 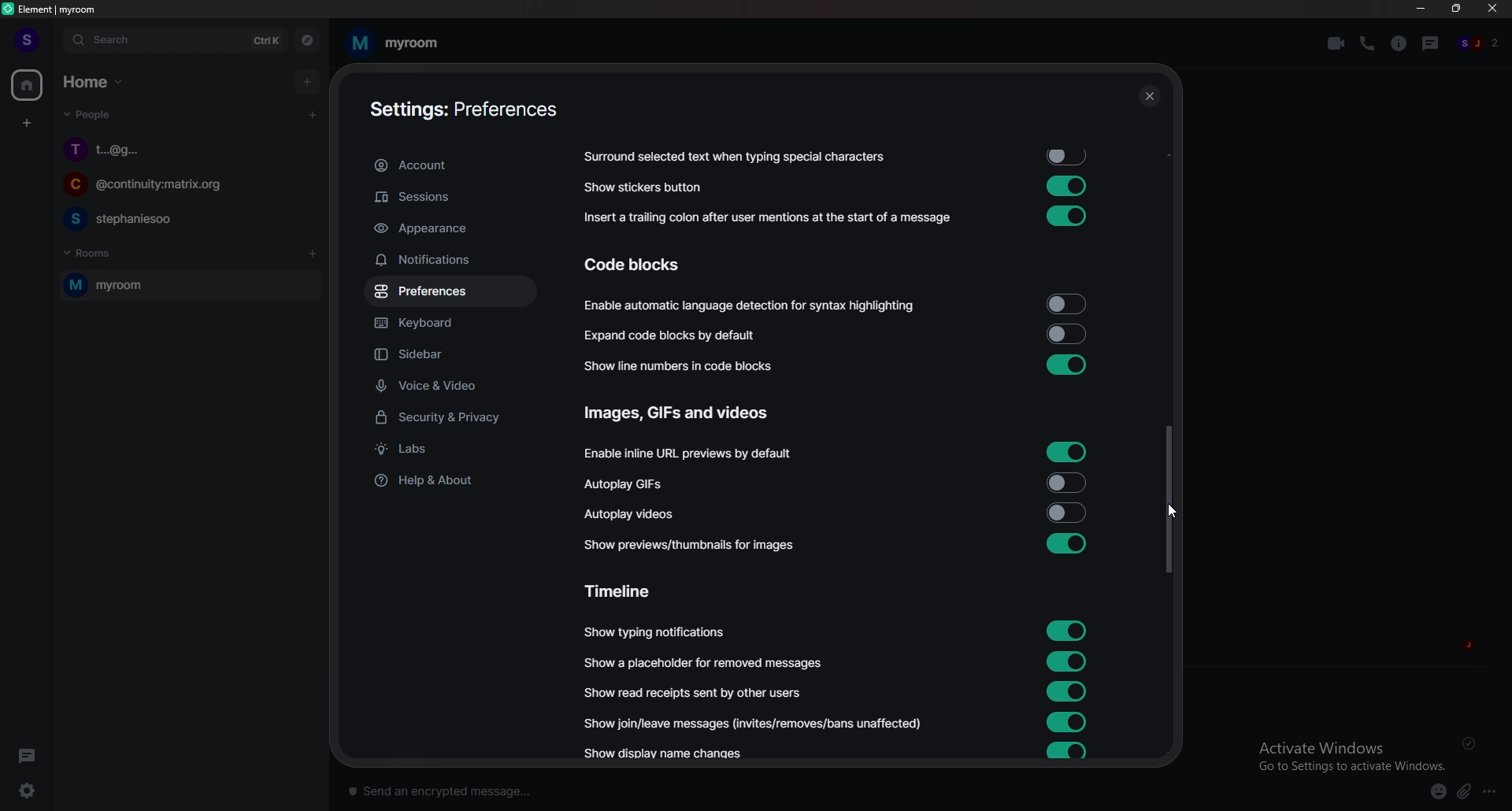 What do you see at coordinates (309, 81) in the screenshot?
I see `add` at bounding box center [309, 81].